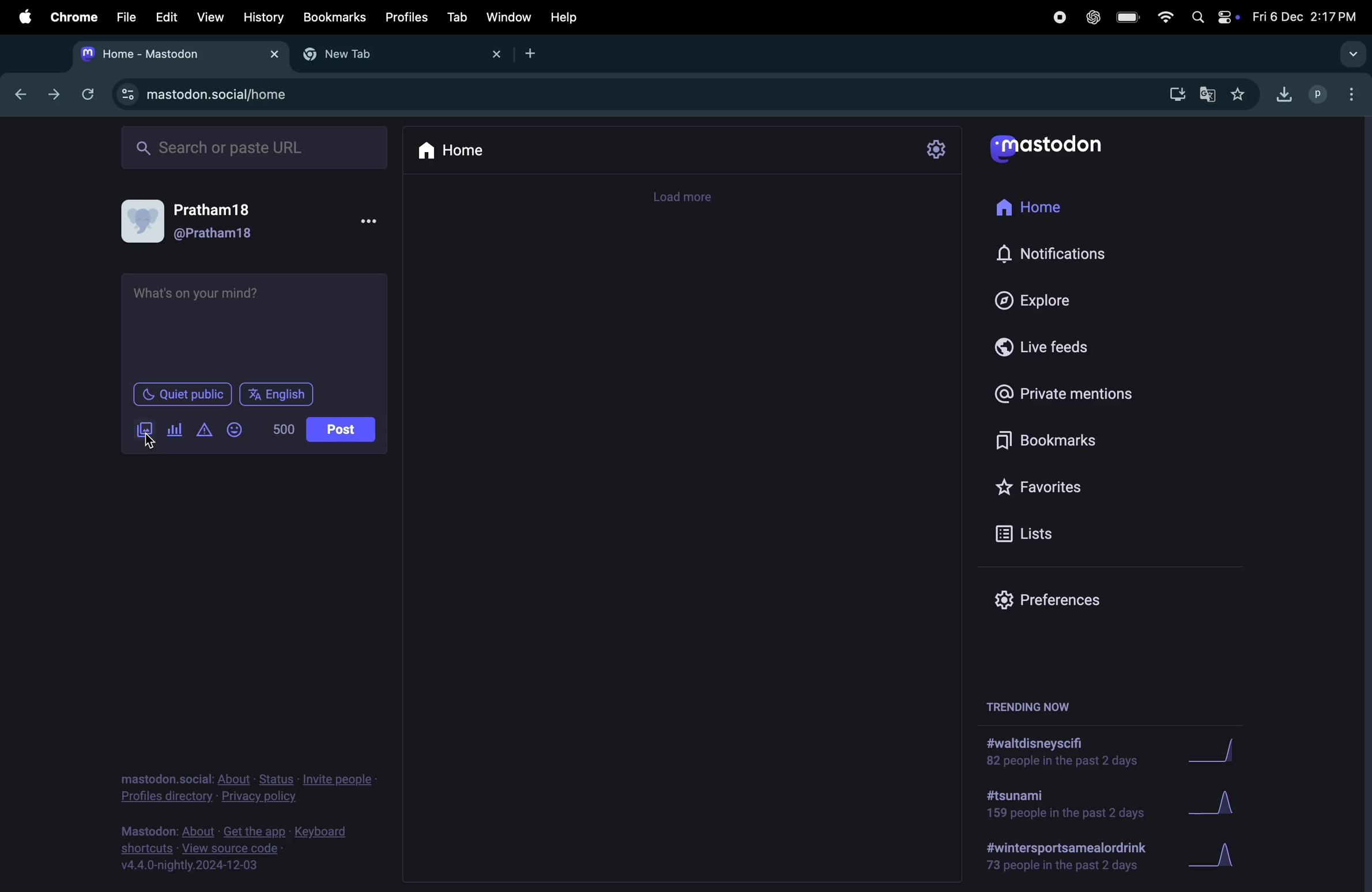  Describe the element at coordinates (1095, 18) in the screenshot. I see `chatgpt` at that location.